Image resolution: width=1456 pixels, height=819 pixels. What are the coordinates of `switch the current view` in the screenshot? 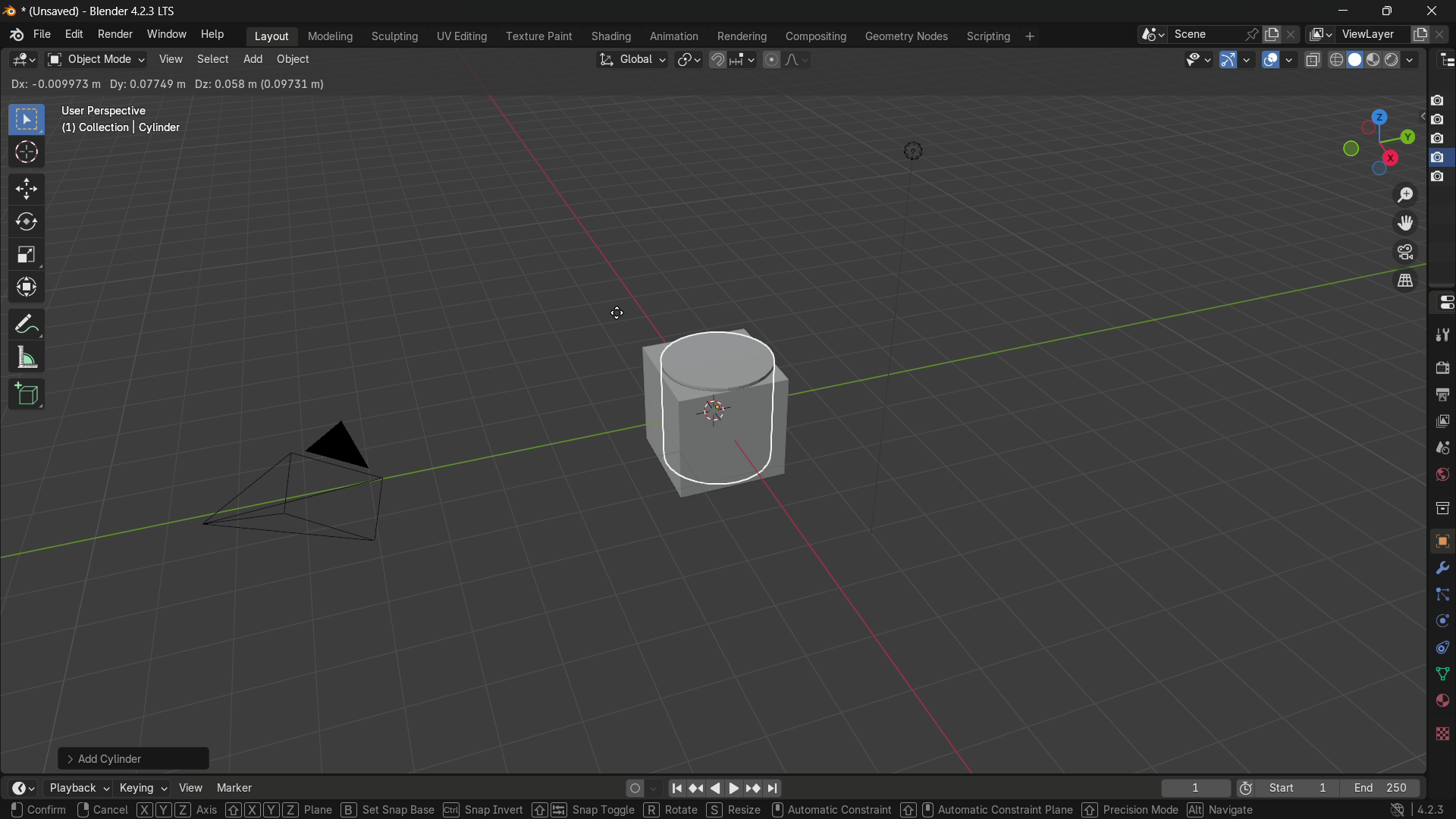 It's located at (1405, 283).